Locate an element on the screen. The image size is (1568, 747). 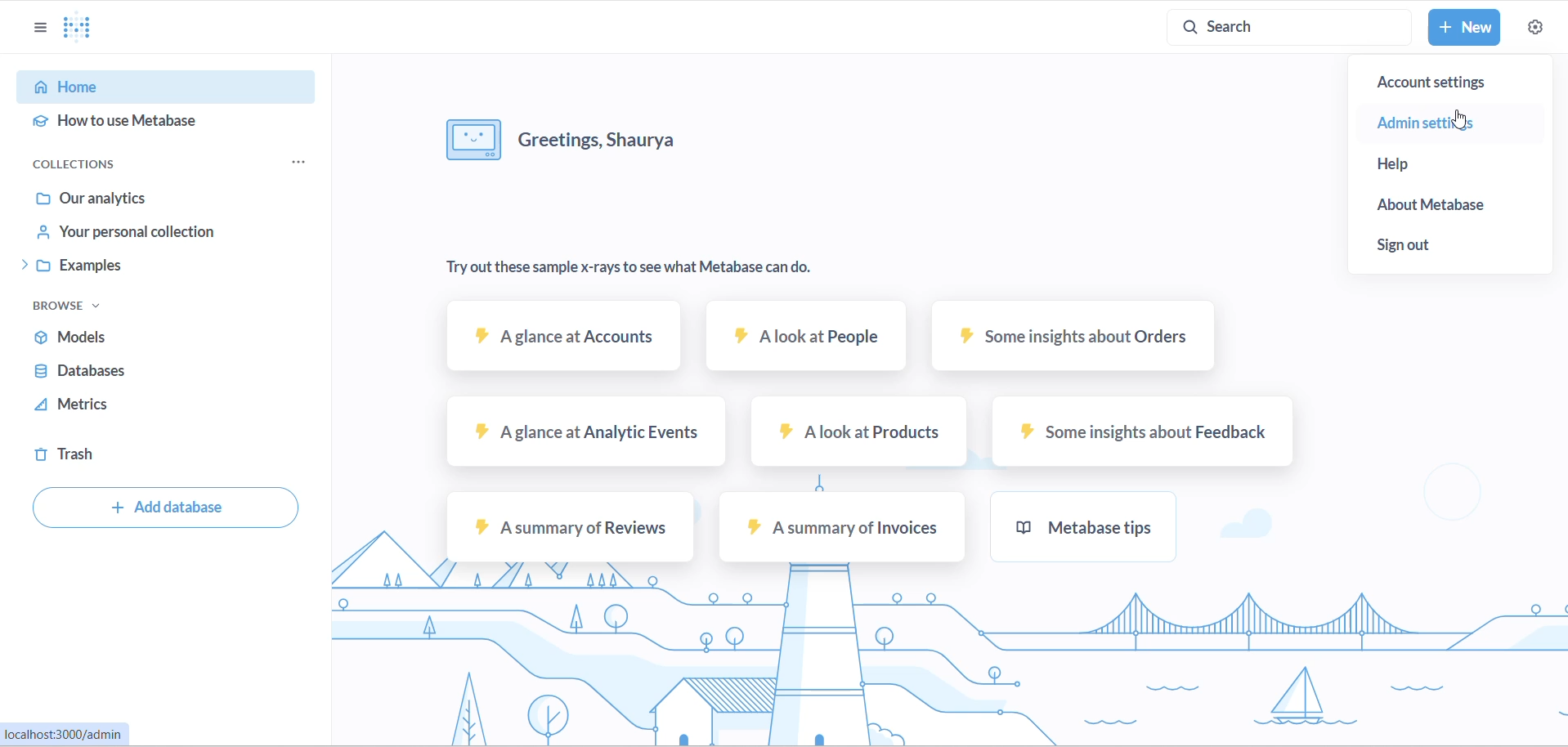
A summary of Reviews is located at coordinates (566, 528).